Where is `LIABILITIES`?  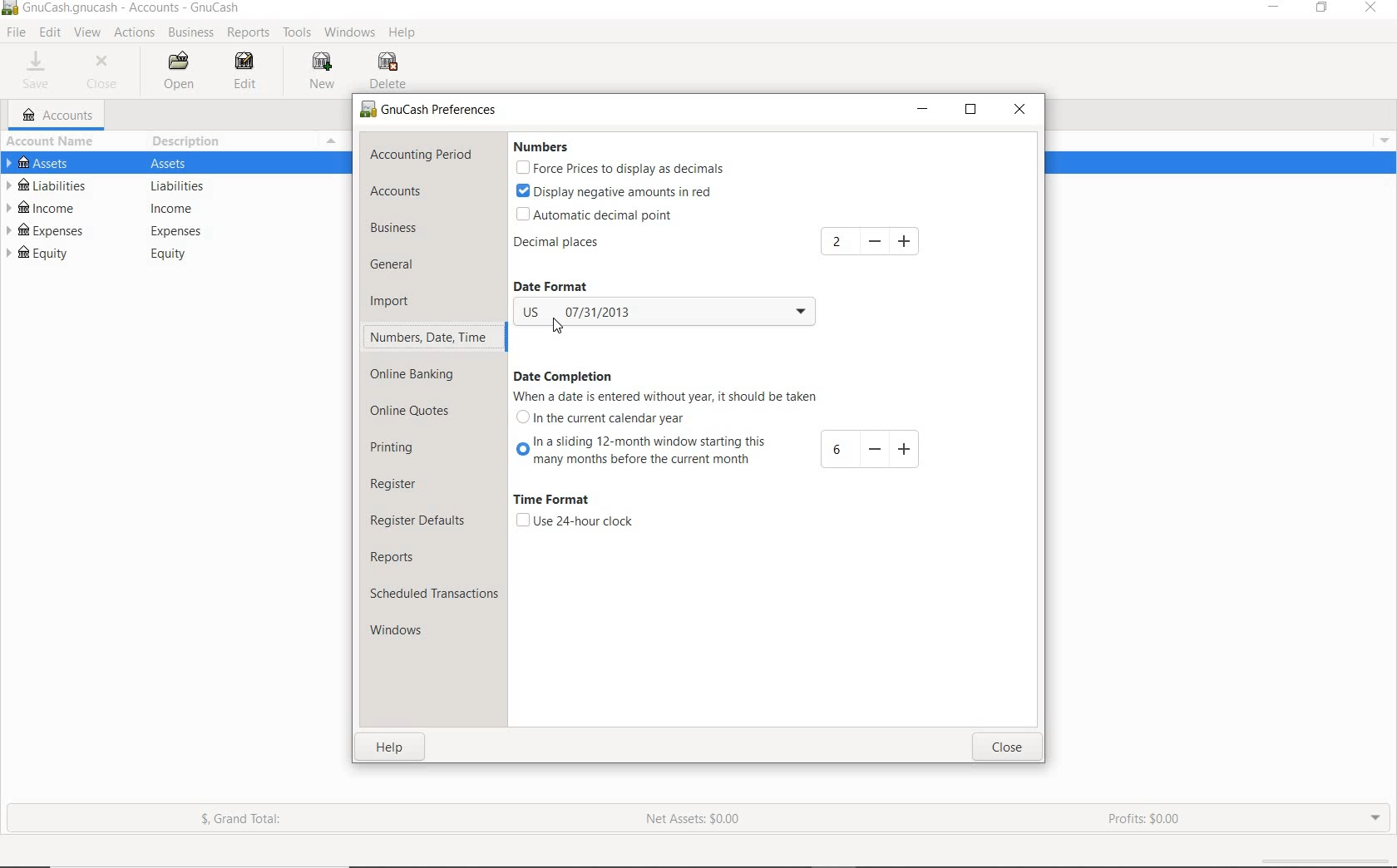
LIABILITIES is located at coordinates (166, 187).